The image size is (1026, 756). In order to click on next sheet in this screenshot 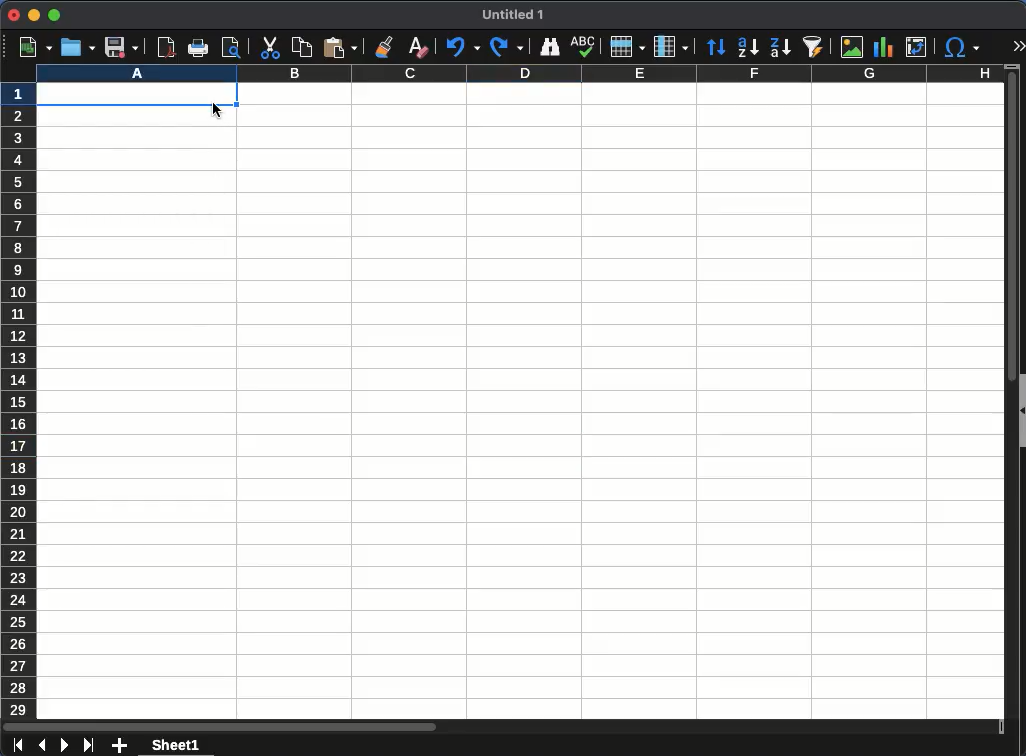, I will do `click(65, 746)`.